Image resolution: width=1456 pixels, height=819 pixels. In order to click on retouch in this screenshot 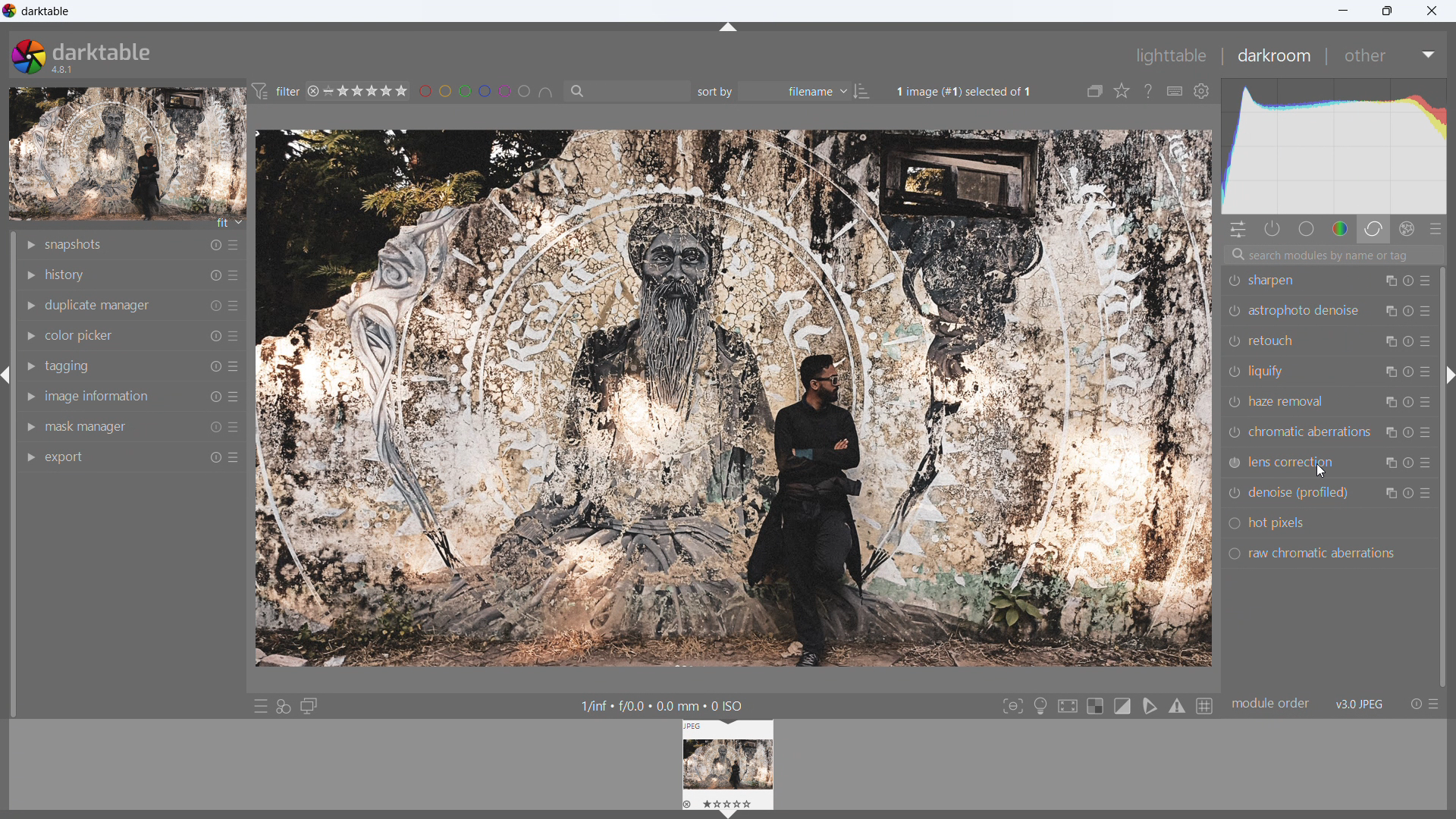, I will do `click(1272, 340)`.